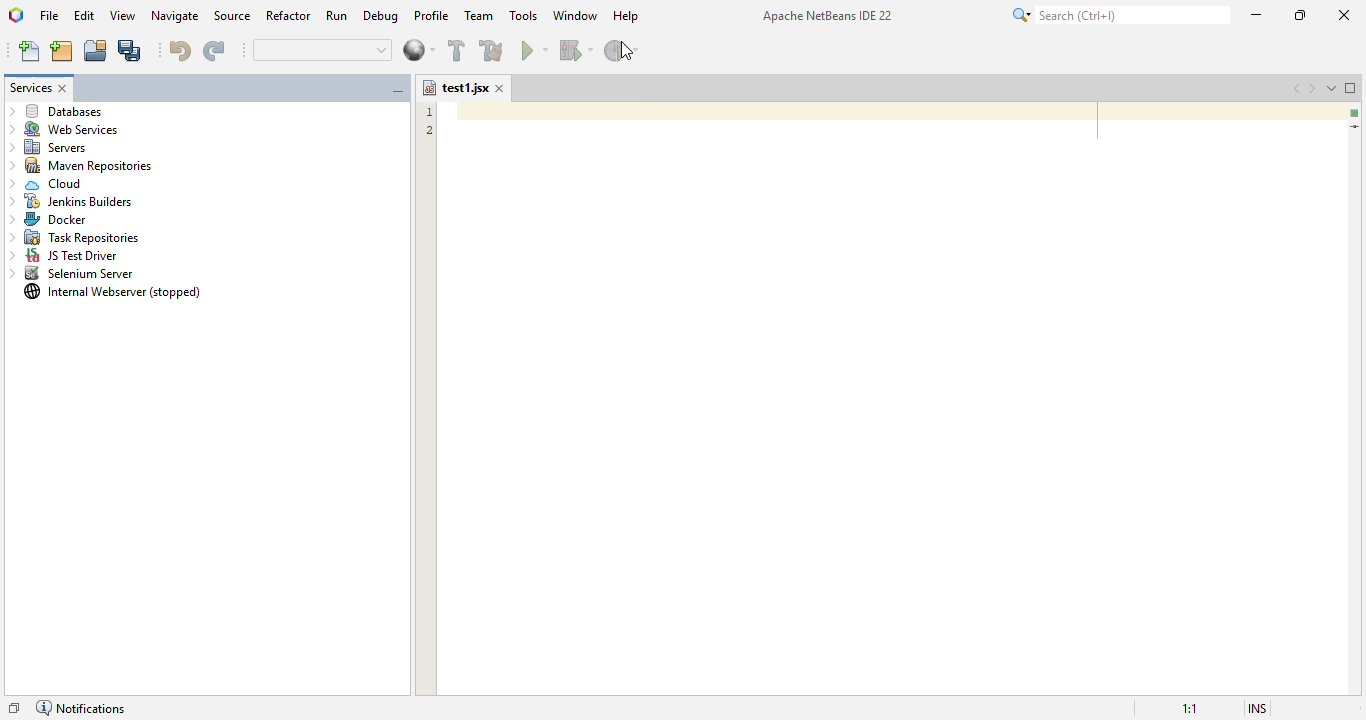 The height and width of the screenshot is (720, 1366). I want to click on web browse, so click(418, 50).